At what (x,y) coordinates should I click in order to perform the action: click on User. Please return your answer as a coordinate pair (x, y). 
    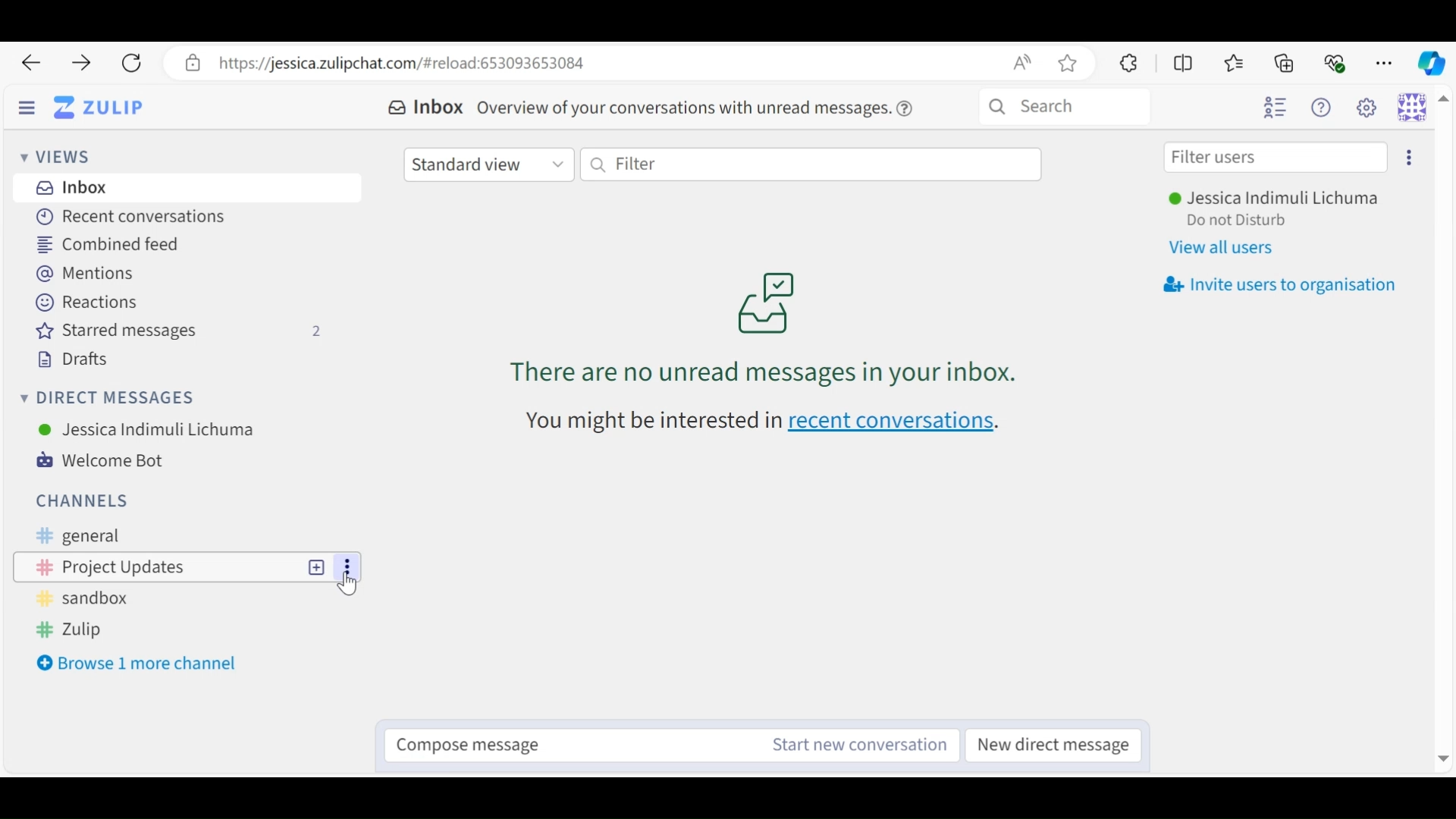
    Looking at the image, I should click on (1279, 199).